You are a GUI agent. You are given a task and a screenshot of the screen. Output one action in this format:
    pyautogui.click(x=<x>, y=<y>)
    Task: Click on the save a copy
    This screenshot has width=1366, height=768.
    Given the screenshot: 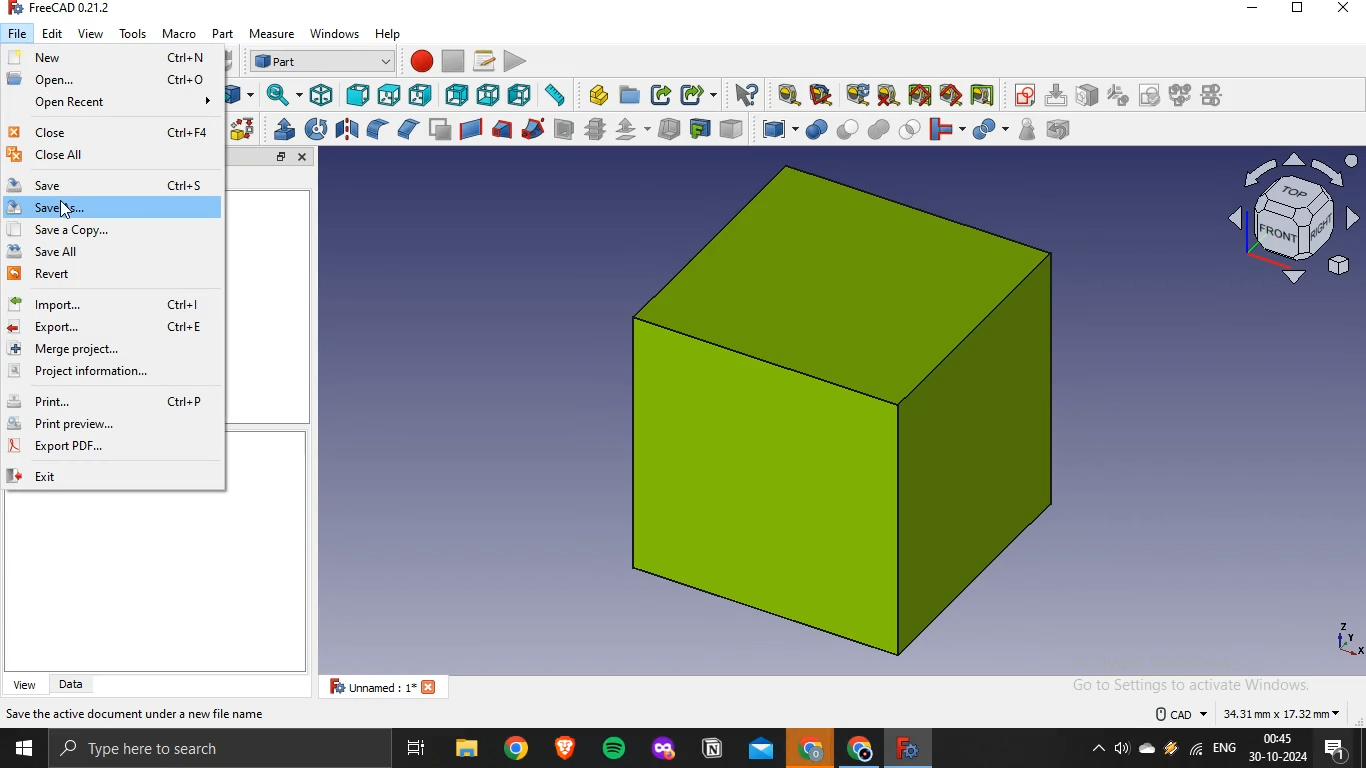 What is the action you would take?
    pyautogui.click(x=105, y=229)
    